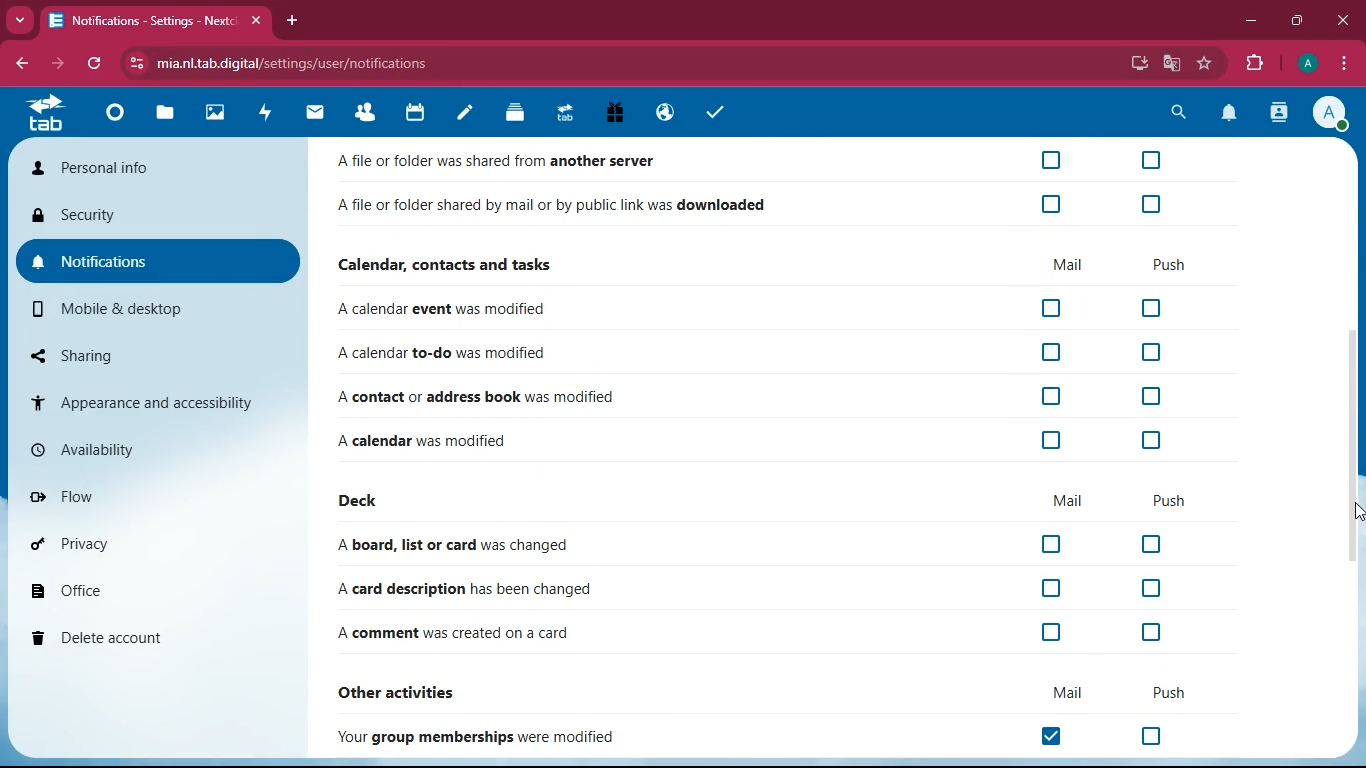 This screenshot has width=1366, height=768. I want to click on off, so click(1151, 737).